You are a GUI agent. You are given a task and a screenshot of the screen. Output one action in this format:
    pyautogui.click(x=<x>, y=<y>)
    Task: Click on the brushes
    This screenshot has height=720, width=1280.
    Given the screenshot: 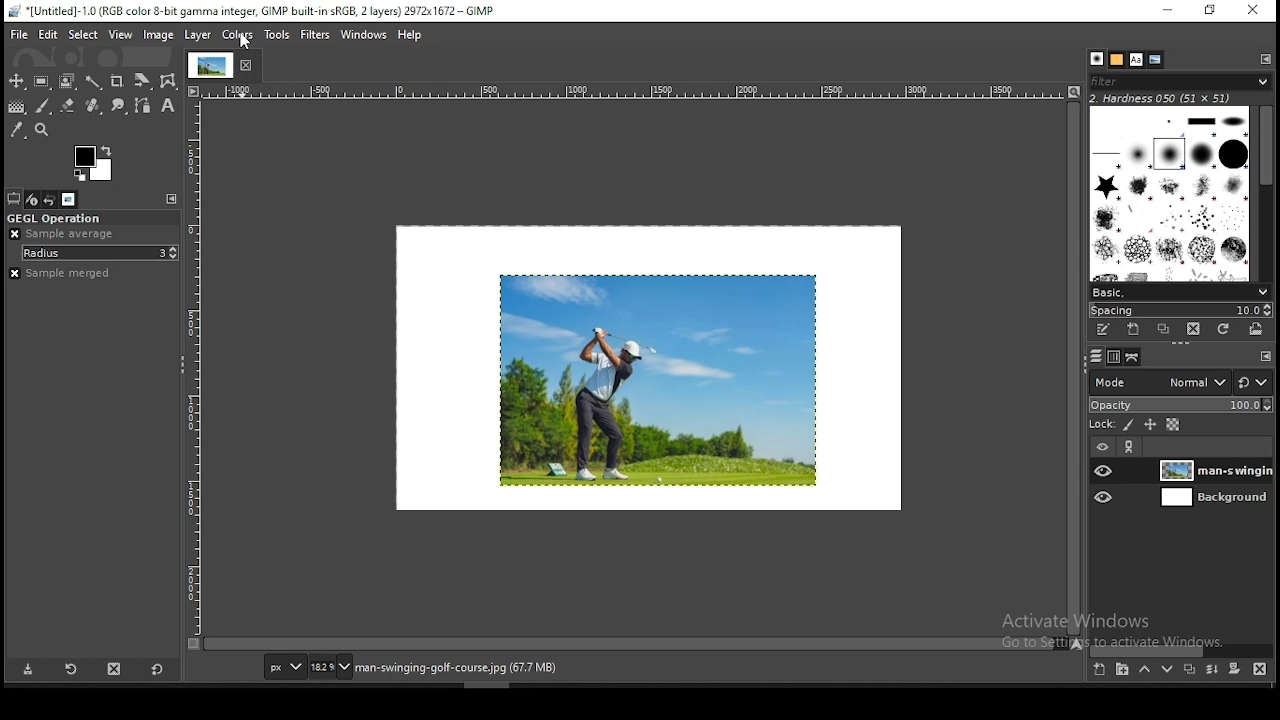 What is the action you would take?
    pyautogui.click(x=1169, y=194)
    